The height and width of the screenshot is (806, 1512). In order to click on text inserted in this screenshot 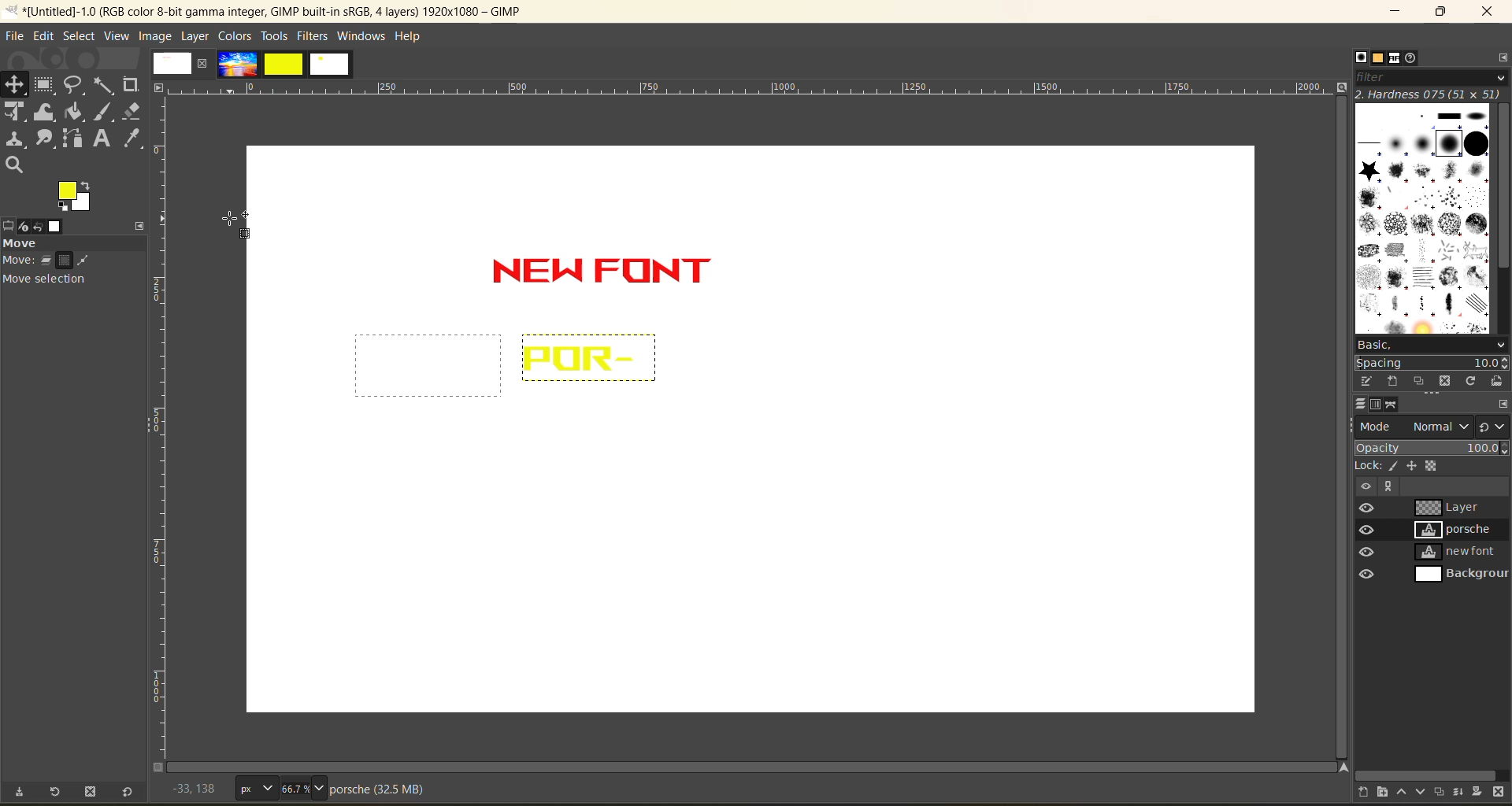, I will do `click(622, 278)`.